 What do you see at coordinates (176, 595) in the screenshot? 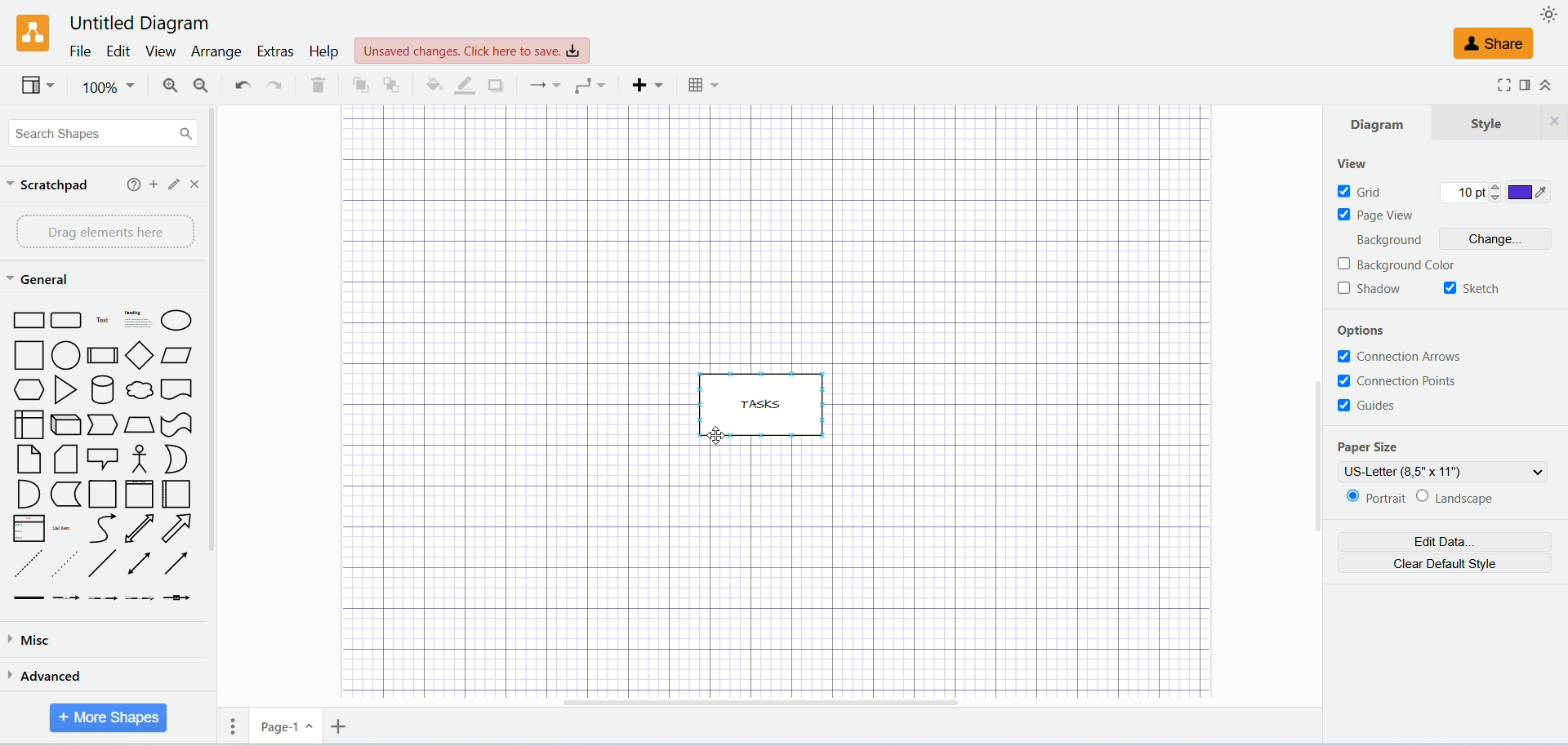
I see `Connector with symbol` at bounding box center [176, 595].